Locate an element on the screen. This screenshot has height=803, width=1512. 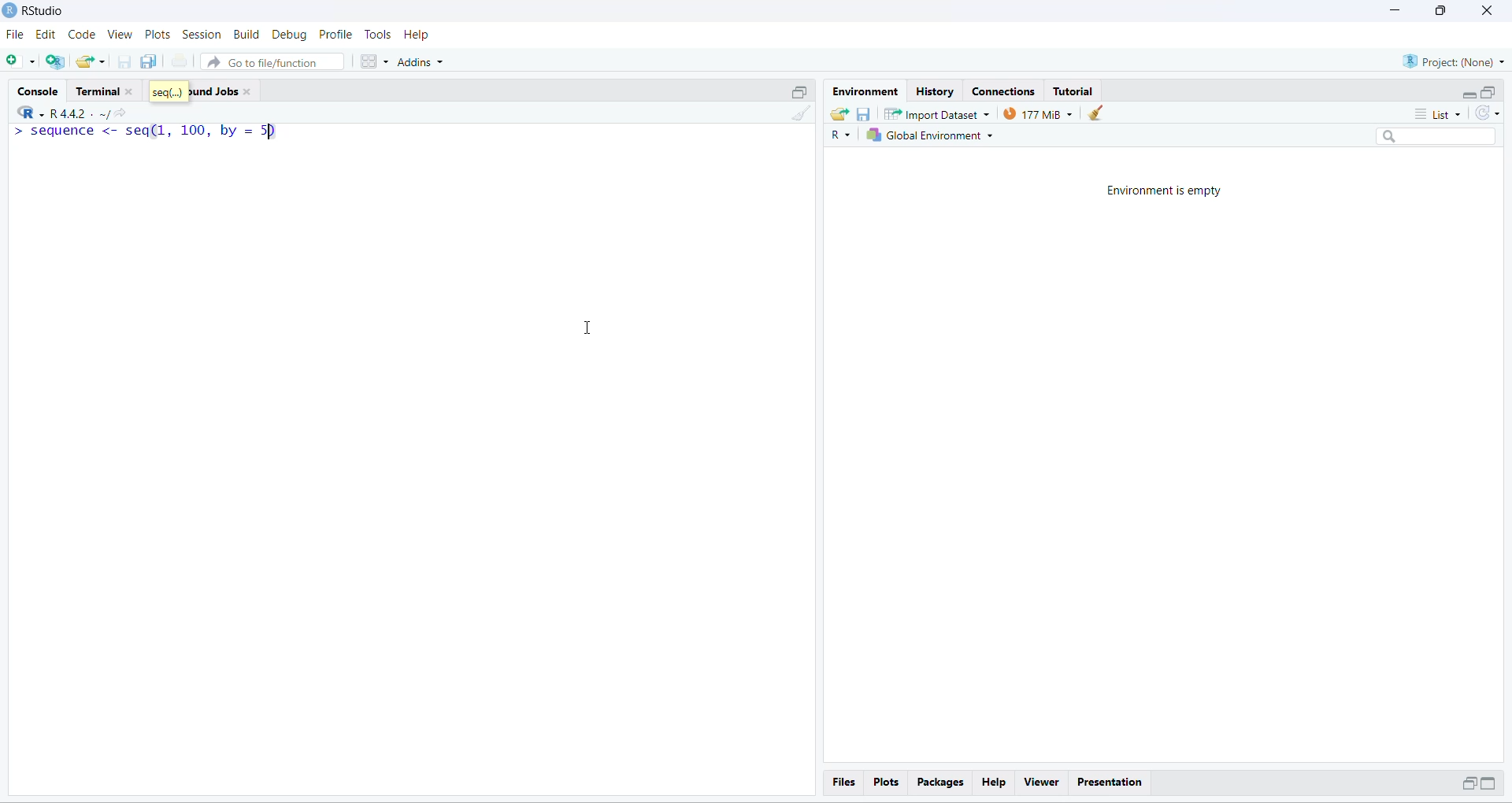
close is located at coordinates (131, 92).